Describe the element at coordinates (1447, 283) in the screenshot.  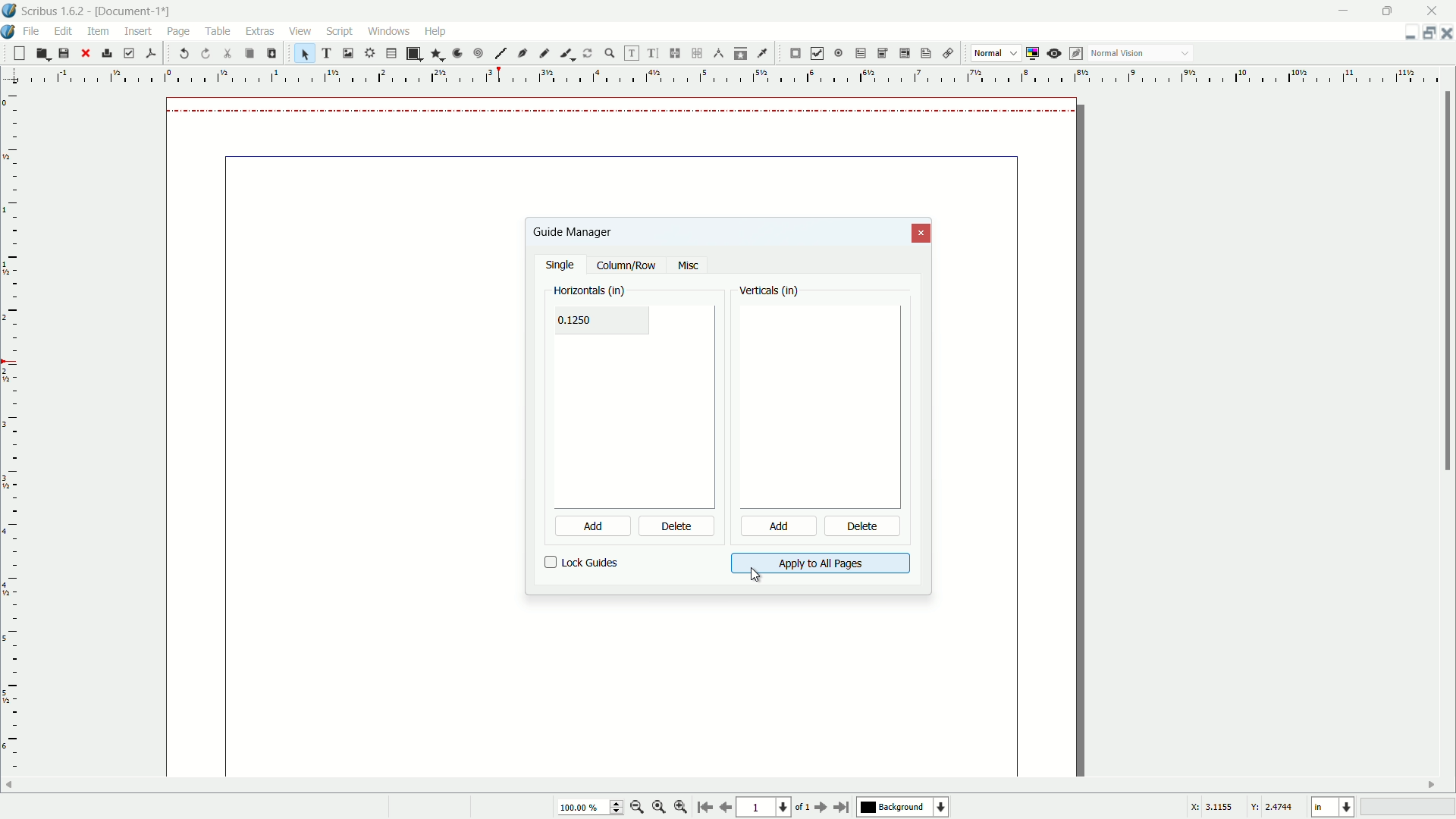
I see `scroll bar` at that location.